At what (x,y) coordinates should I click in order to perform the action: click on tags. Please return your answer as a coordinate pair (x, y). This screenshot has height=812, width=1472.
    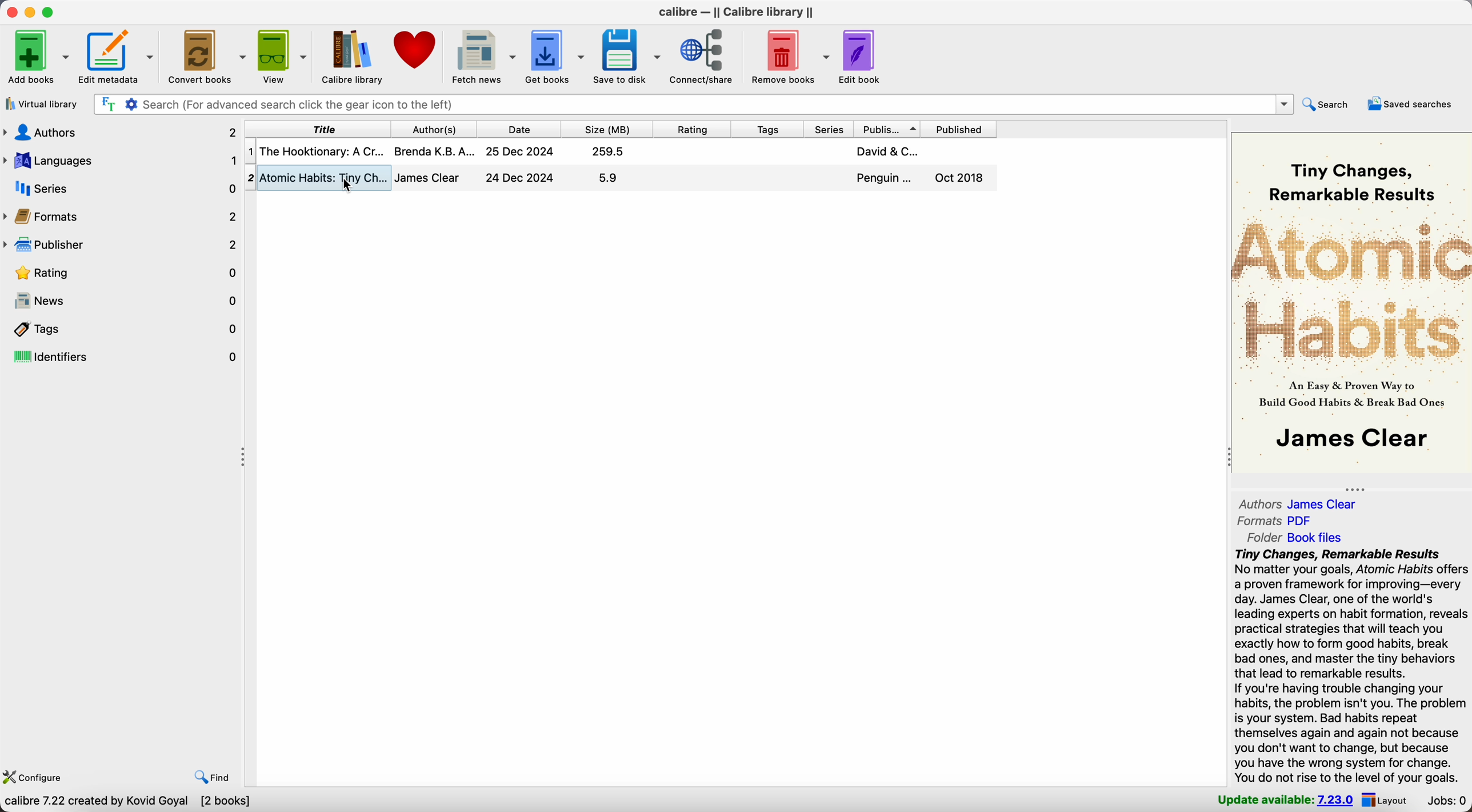
    Looking at the image, I should click on (765, 128).